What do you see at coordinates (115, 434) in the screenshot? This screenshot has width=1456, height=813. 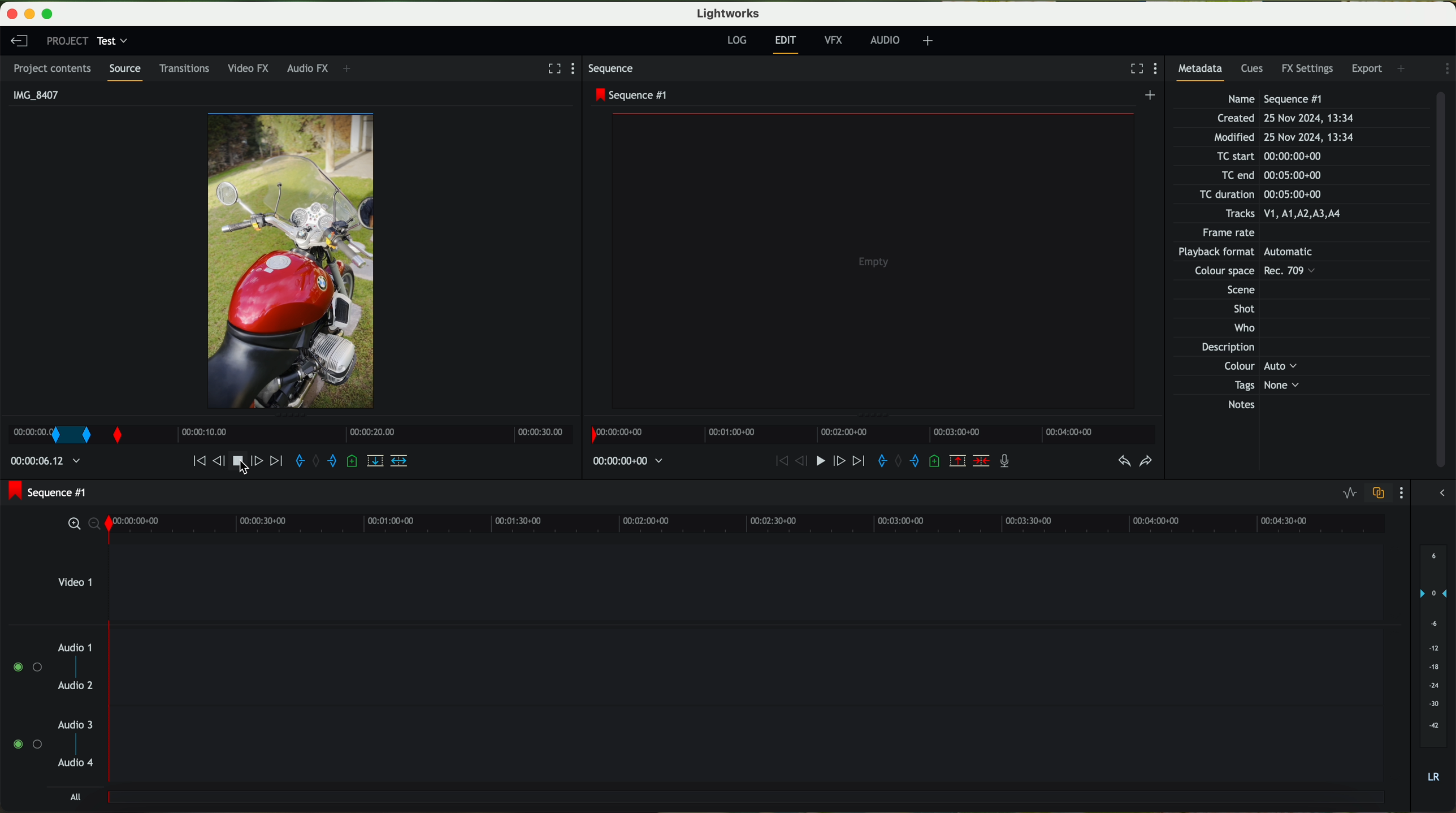 I see `transition` at bounding box center [115, 434].